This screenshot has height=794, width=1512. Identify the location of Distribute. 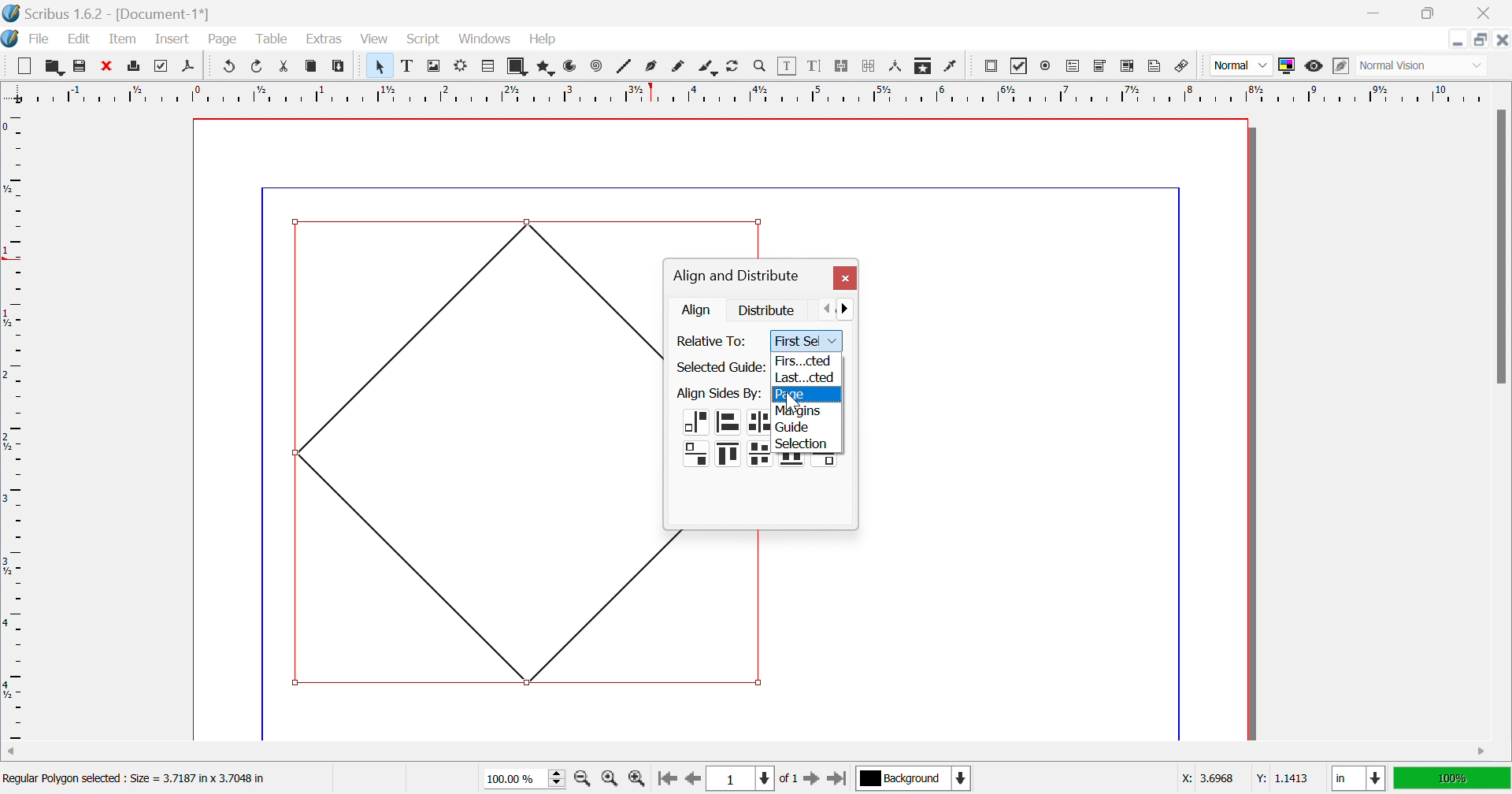
(768, 309).